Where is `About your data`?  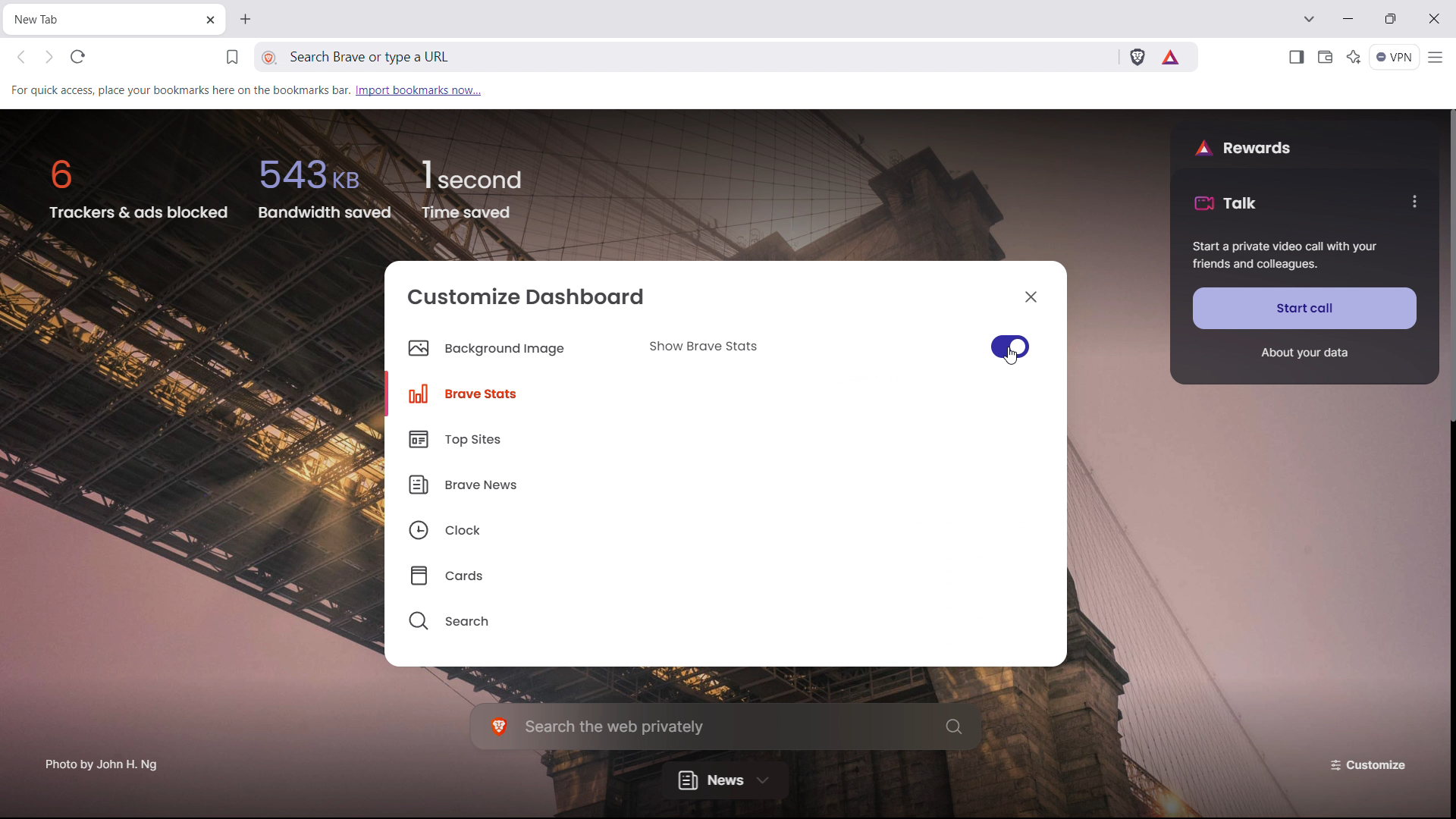 About your data is located at coordinates (1304, 353).